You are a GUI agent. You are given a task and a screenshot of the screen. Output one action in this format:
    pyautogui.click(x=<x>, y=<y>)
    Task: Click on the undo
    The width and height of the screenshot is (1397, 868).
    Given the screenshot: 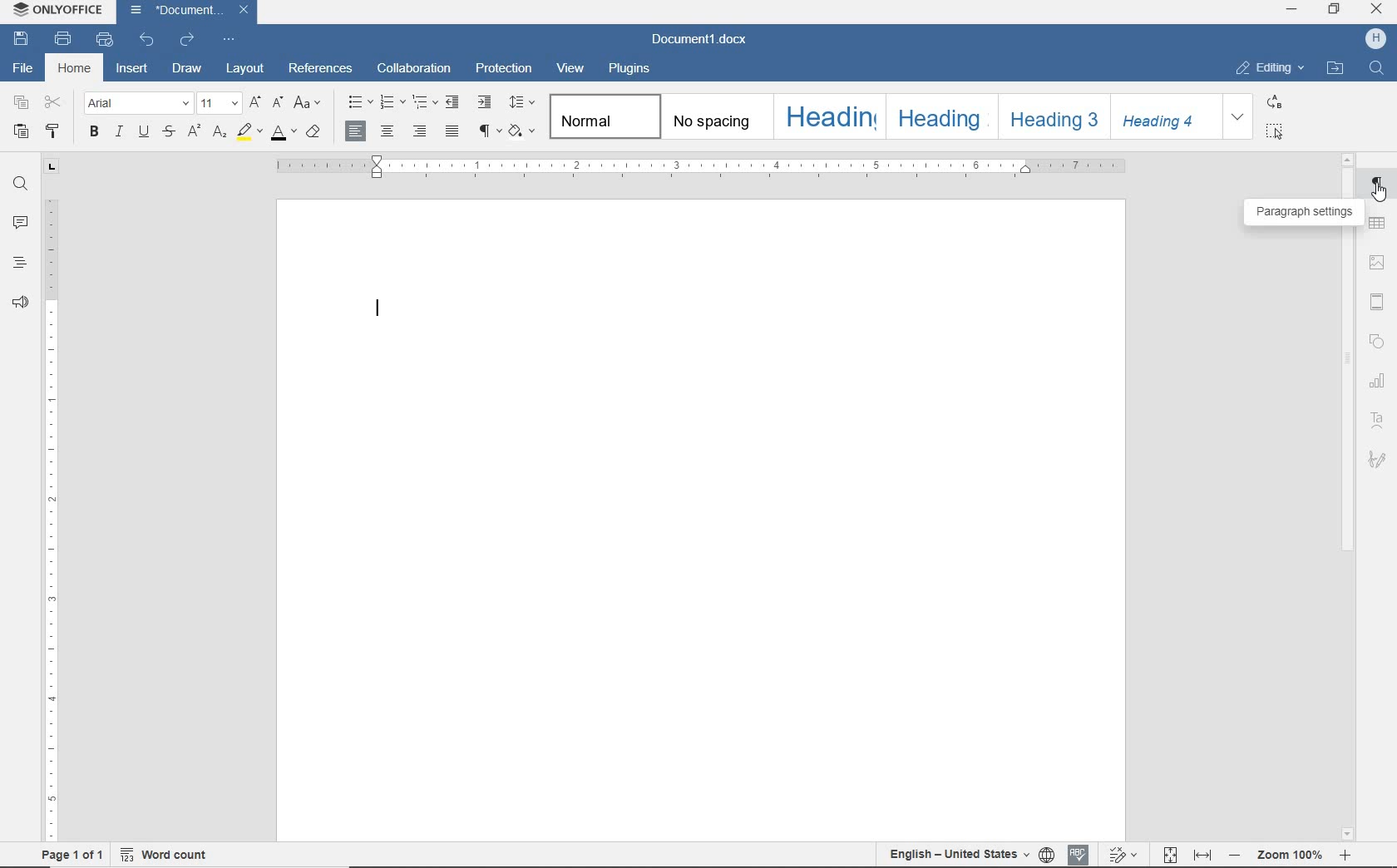 What is the action you would take?
    pyautogui.click(x=148, y=42)
    